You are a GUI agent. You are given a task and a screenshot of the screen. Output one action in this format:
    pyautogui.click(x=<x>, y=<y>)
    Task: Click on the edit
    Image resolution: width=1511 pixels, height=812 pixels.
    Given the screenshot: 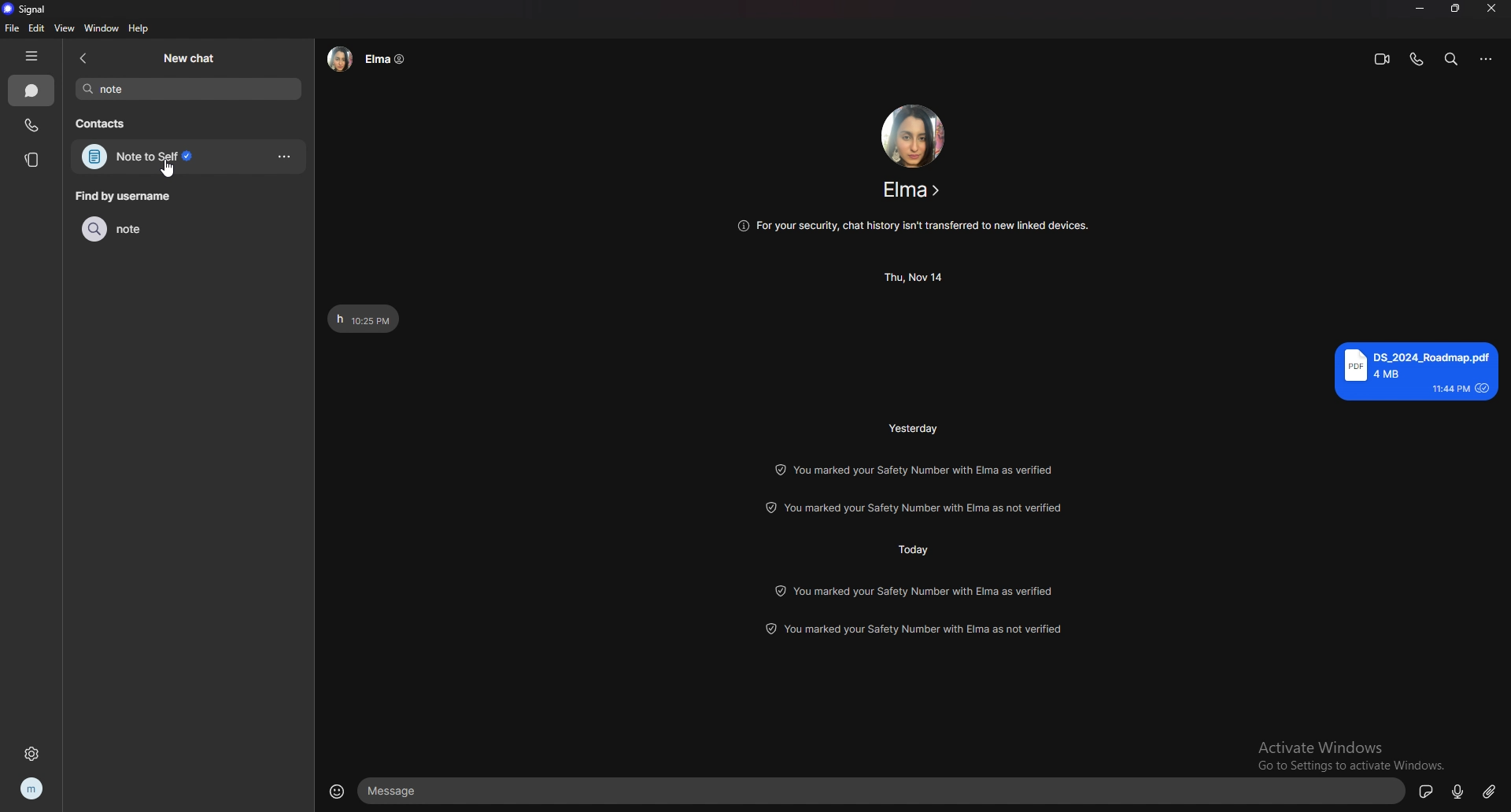 What is the action you would take?
    pyautogui.click(x=37, y=29)
    